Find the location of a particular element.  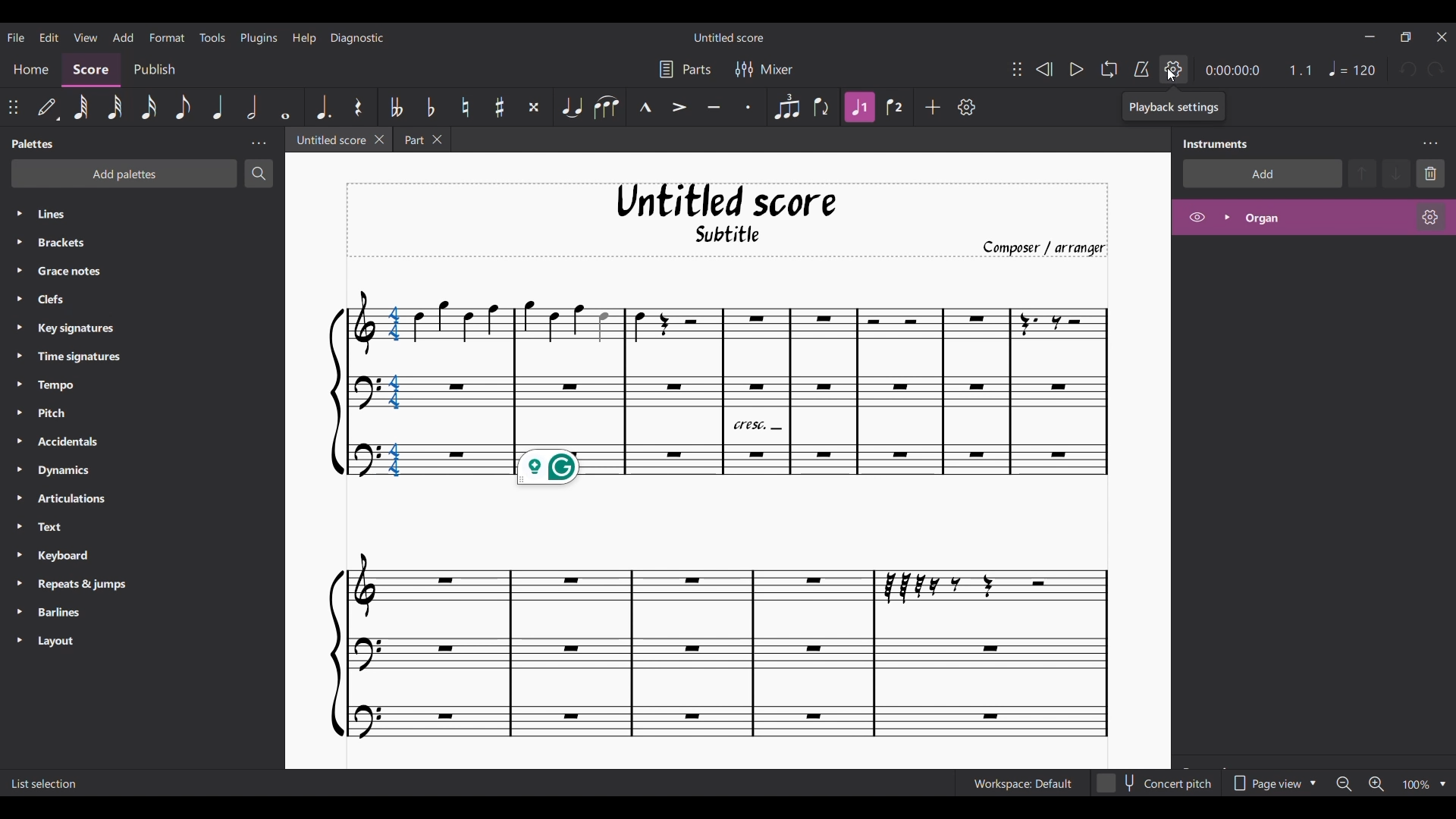

16th note is located at coordinates (149, 108).